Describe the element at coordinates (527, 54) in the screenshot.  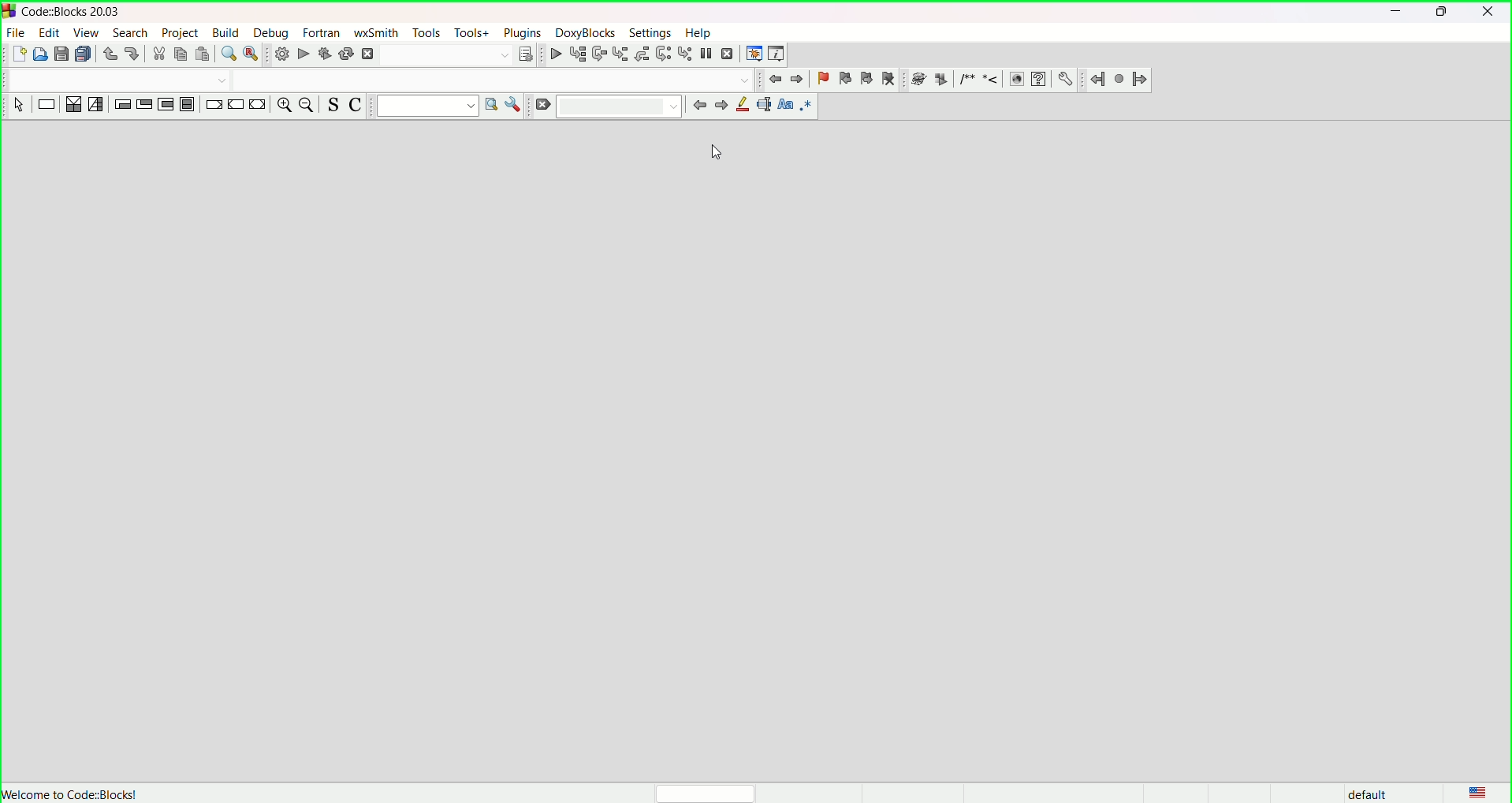
I see `show the select target` at that location.